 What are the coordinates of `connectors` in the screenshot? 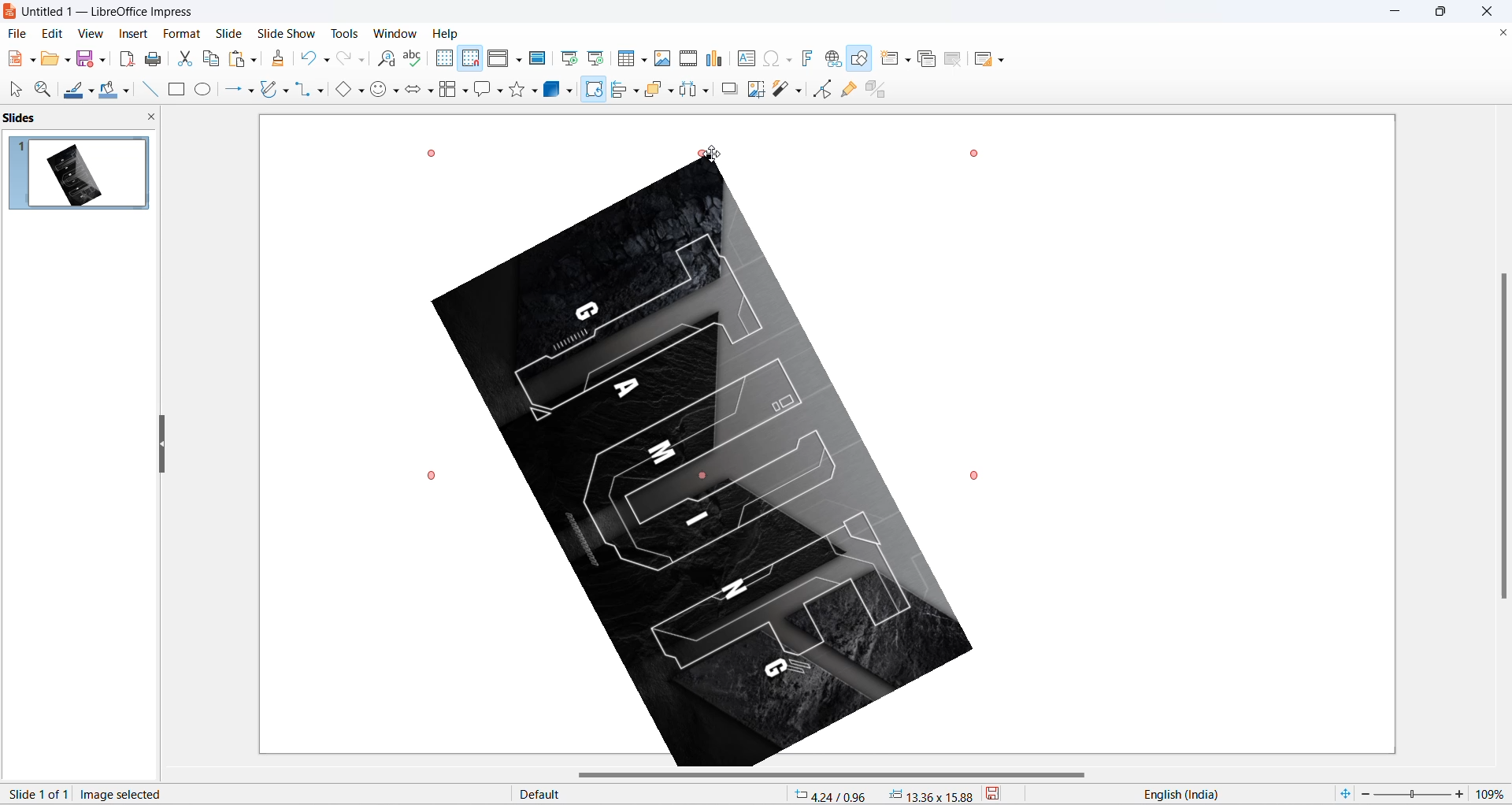 It's located at (303, 90).